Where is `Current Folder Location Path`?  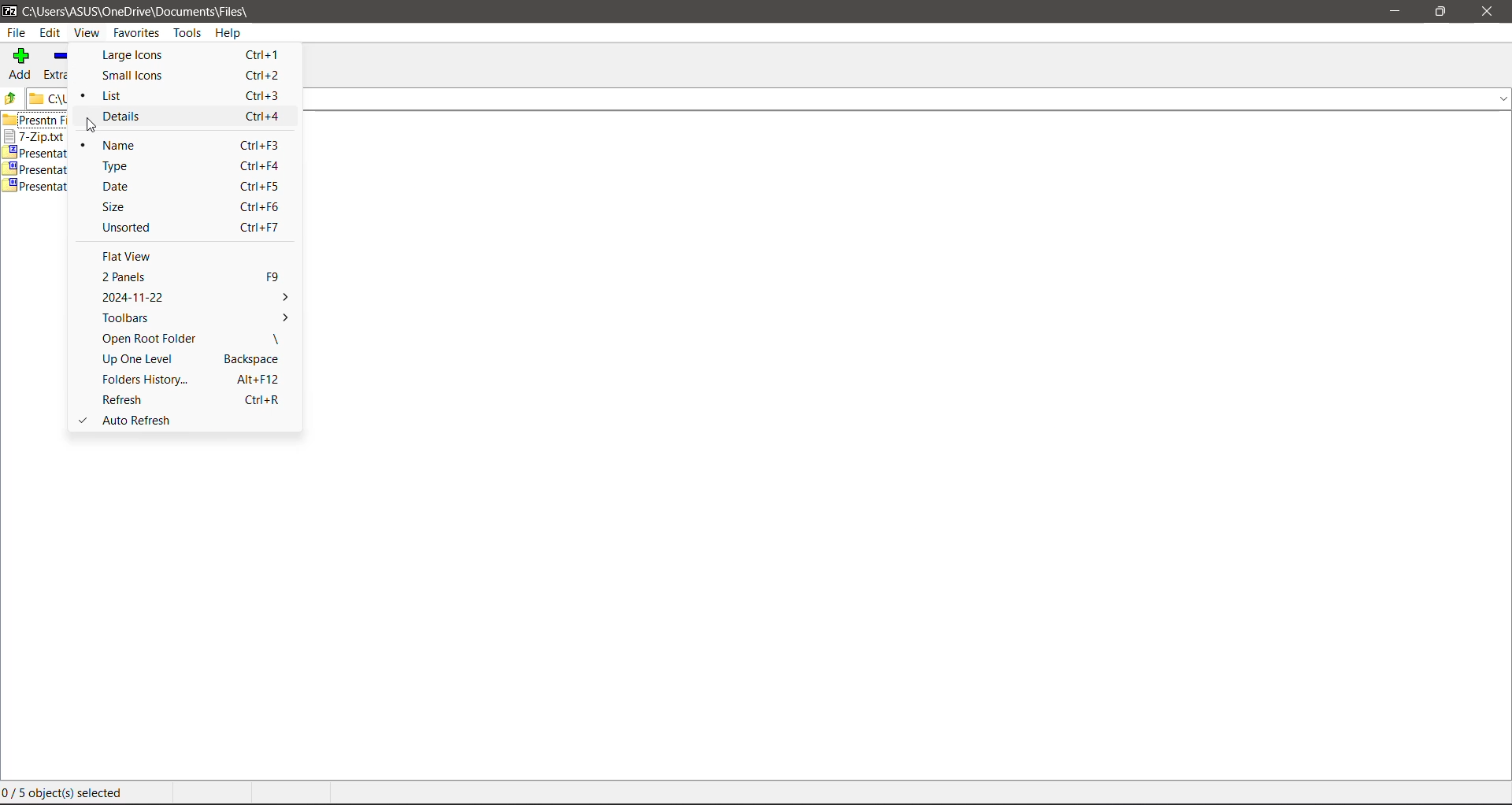 Current Folder Location Path is located at coordinates (895, 99).